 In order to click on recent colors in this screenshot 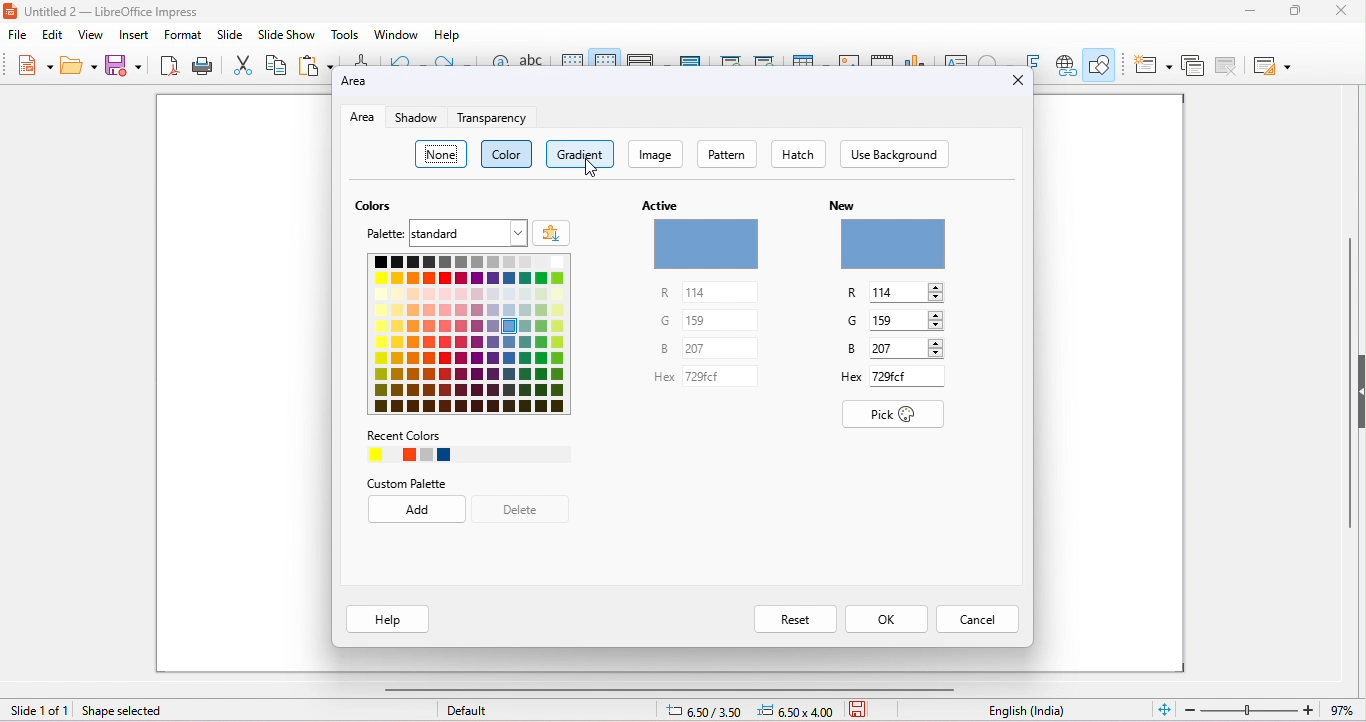, I will do `click(455, 445)`.